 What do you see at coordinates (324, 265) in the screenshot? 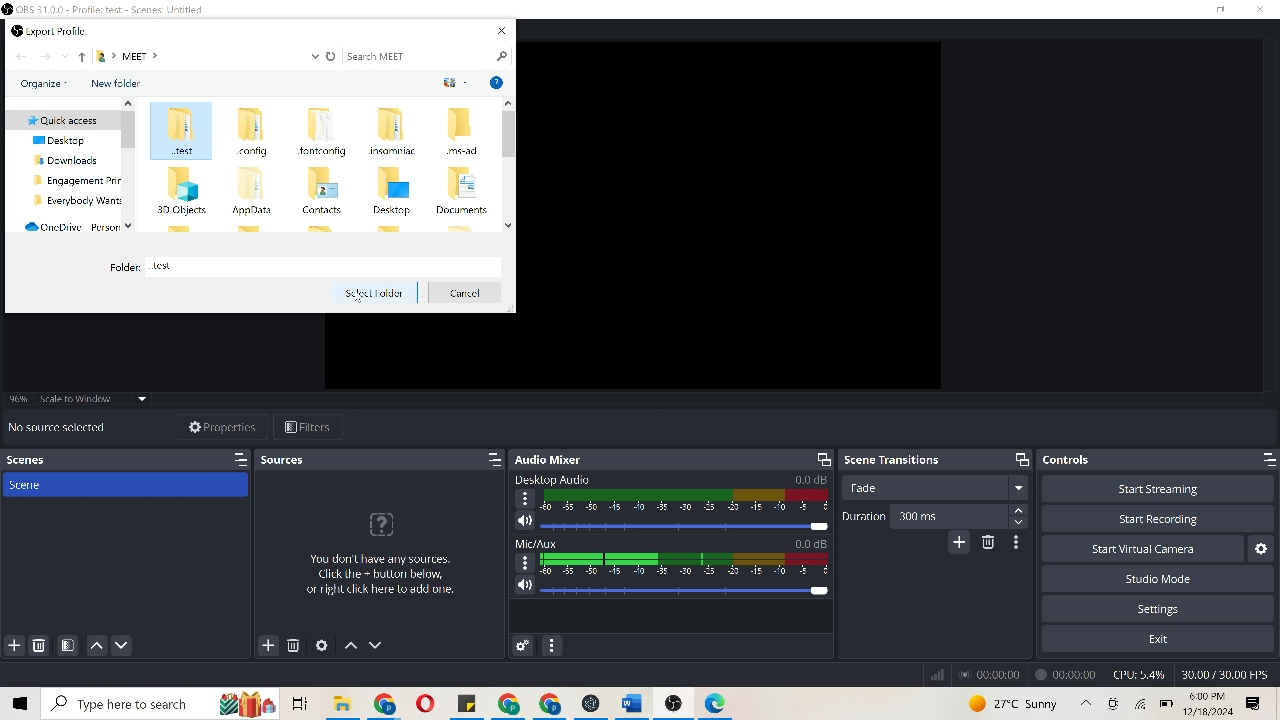
I see `input` at bounding box center [324, 265].